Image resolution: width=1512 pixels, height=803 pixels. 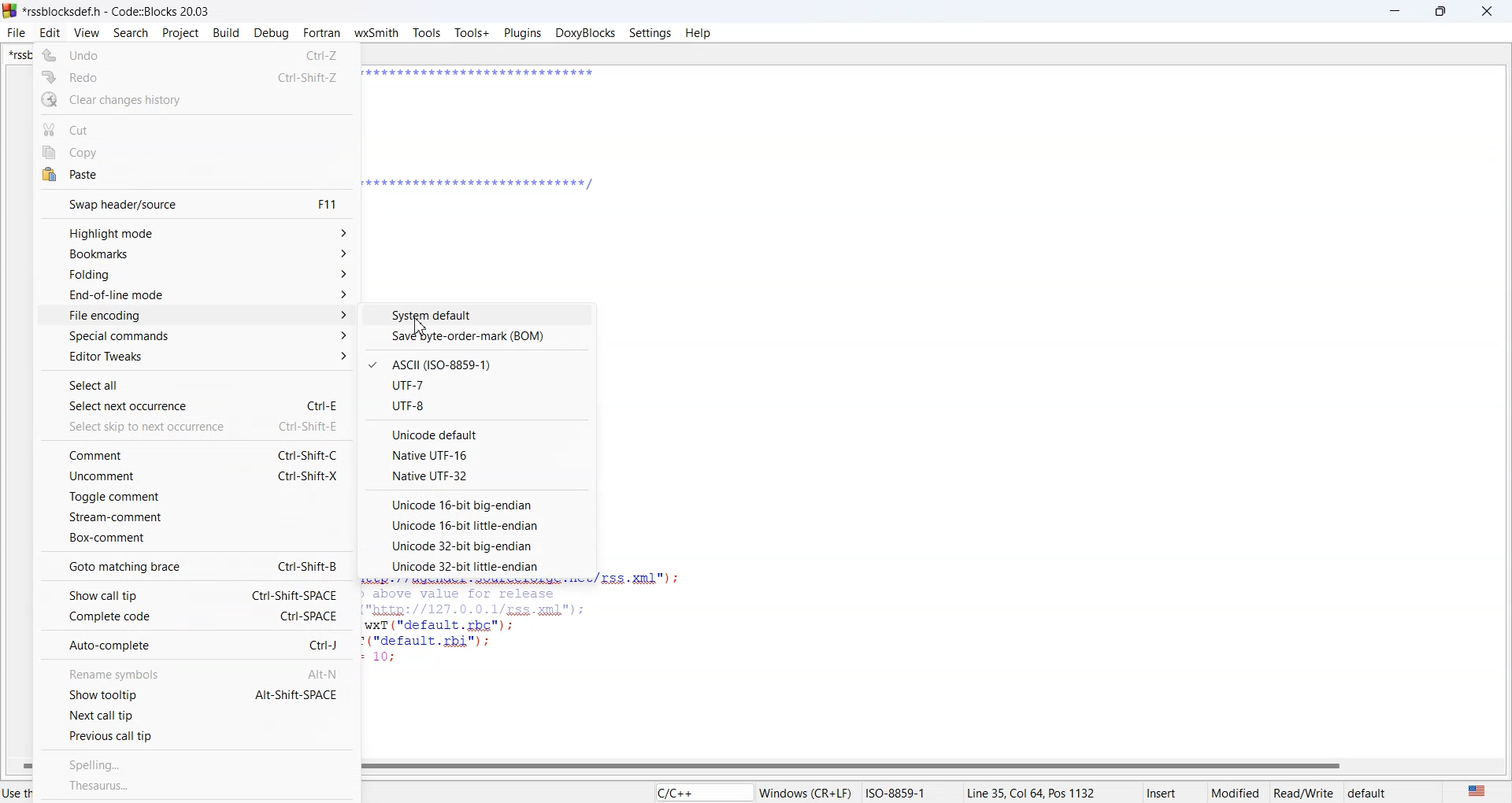 What do you see at coordinates (376, 33) in the screenshot?
I see `W X Smith` at bounding box center [376, 33].